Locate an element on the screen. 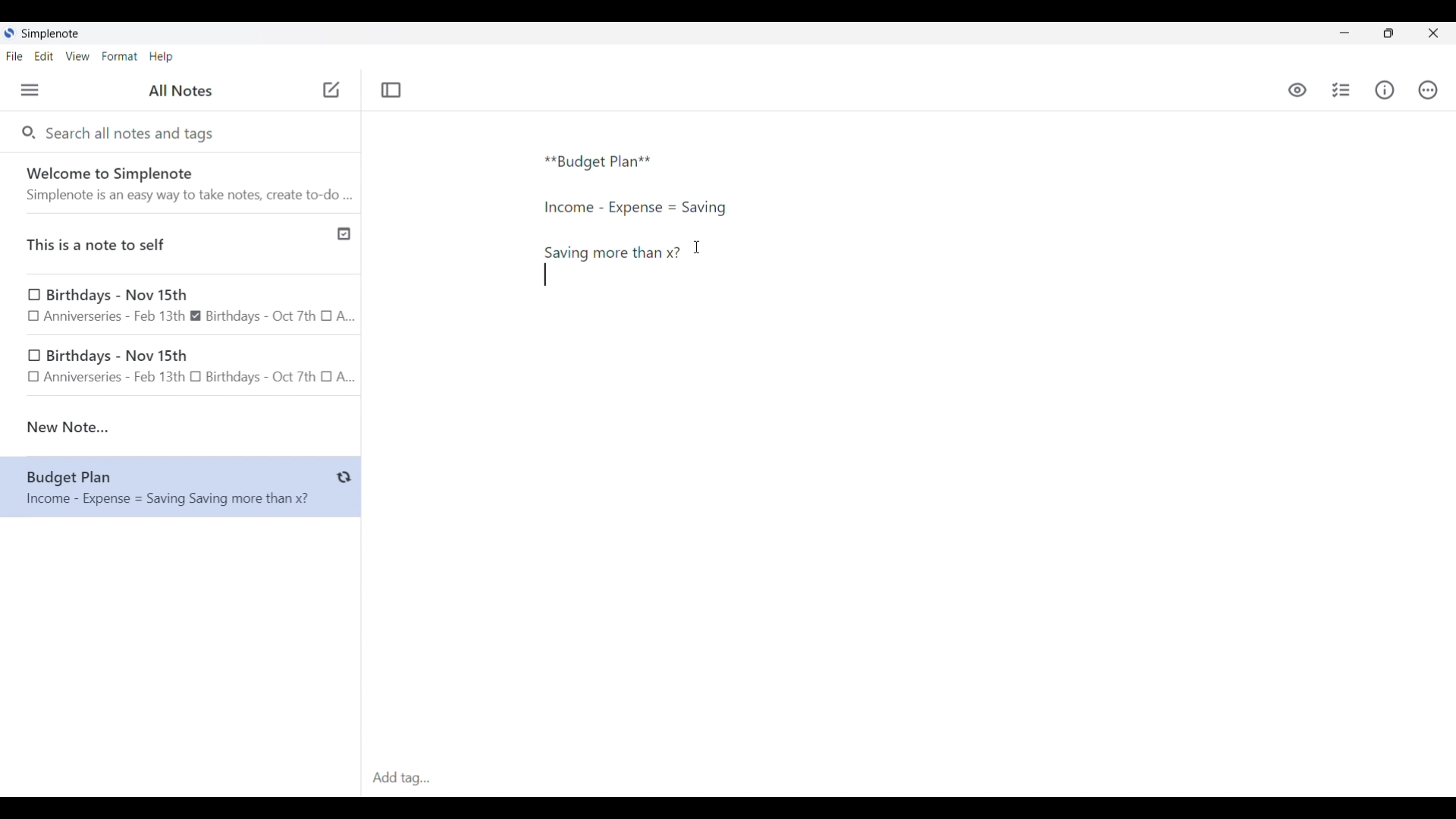 This screenshot has width=1456, height=819. birthday note is located at coordinates (182, 369).